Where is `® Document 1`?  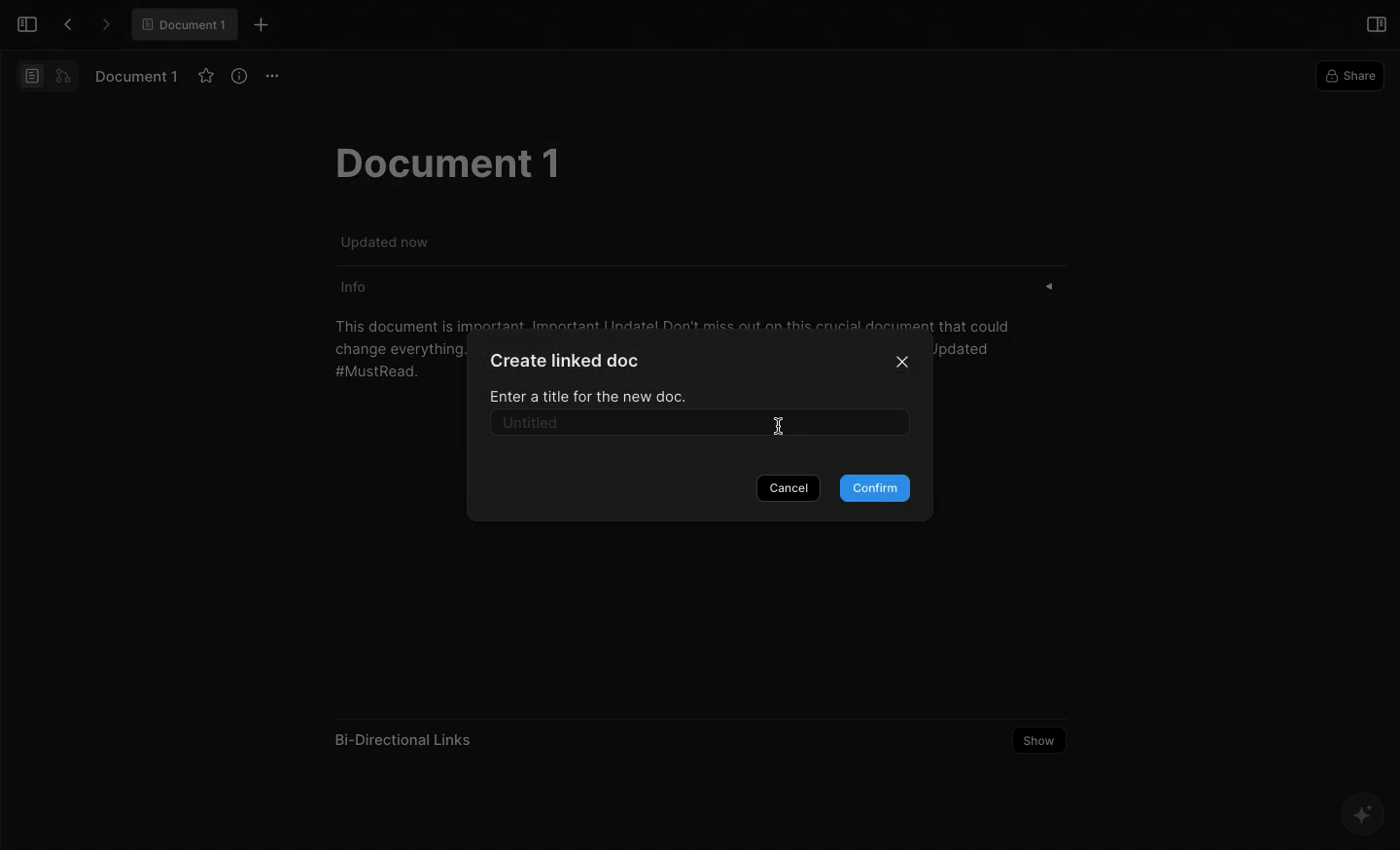 ® Document 1 is located at coordinates (184, 24).